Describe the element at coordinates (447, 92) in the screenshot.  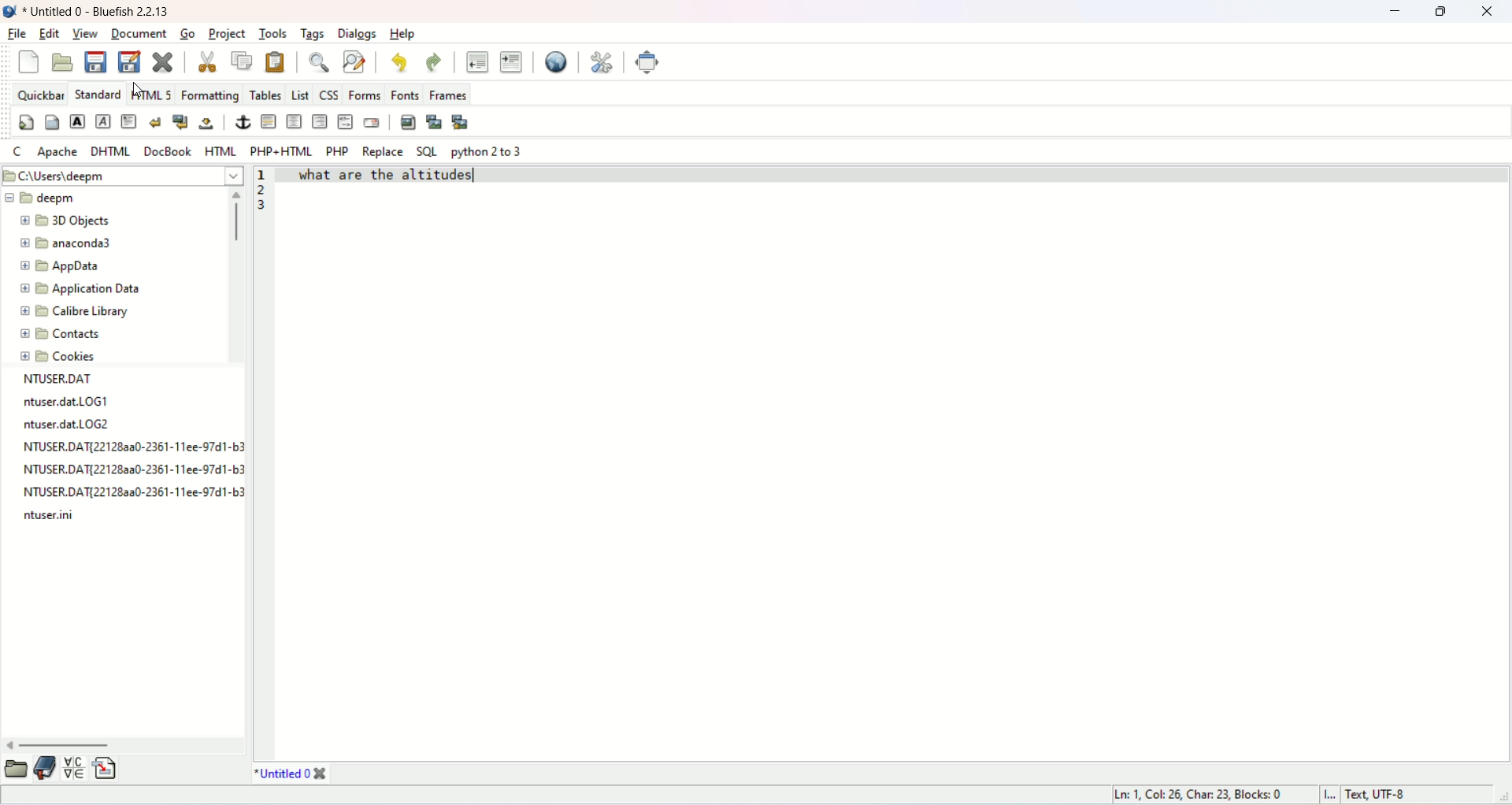
I see `frames` at that location.